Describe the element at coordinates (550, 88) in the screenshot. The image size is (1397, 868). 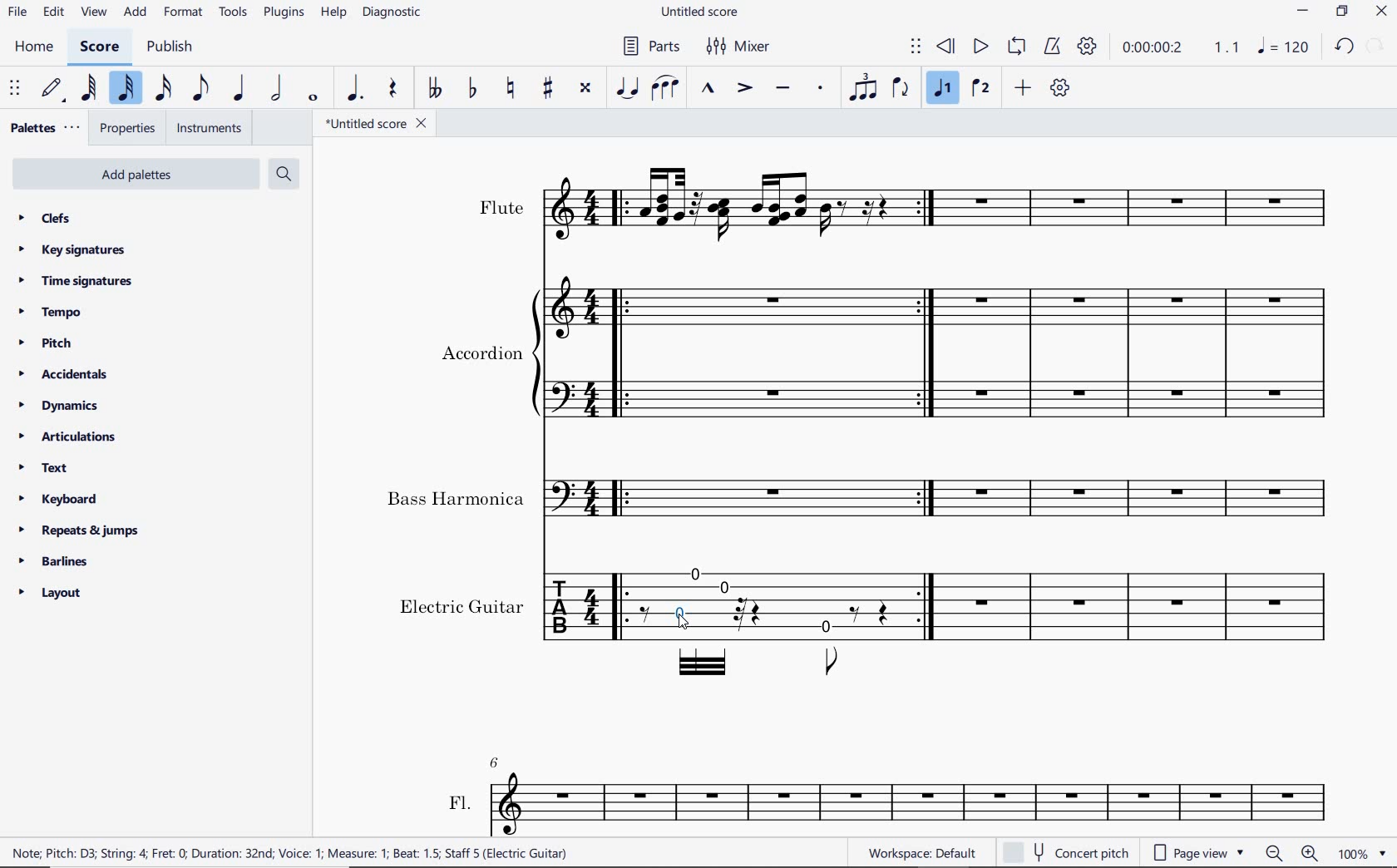
I see `toggle sharp` at that location.